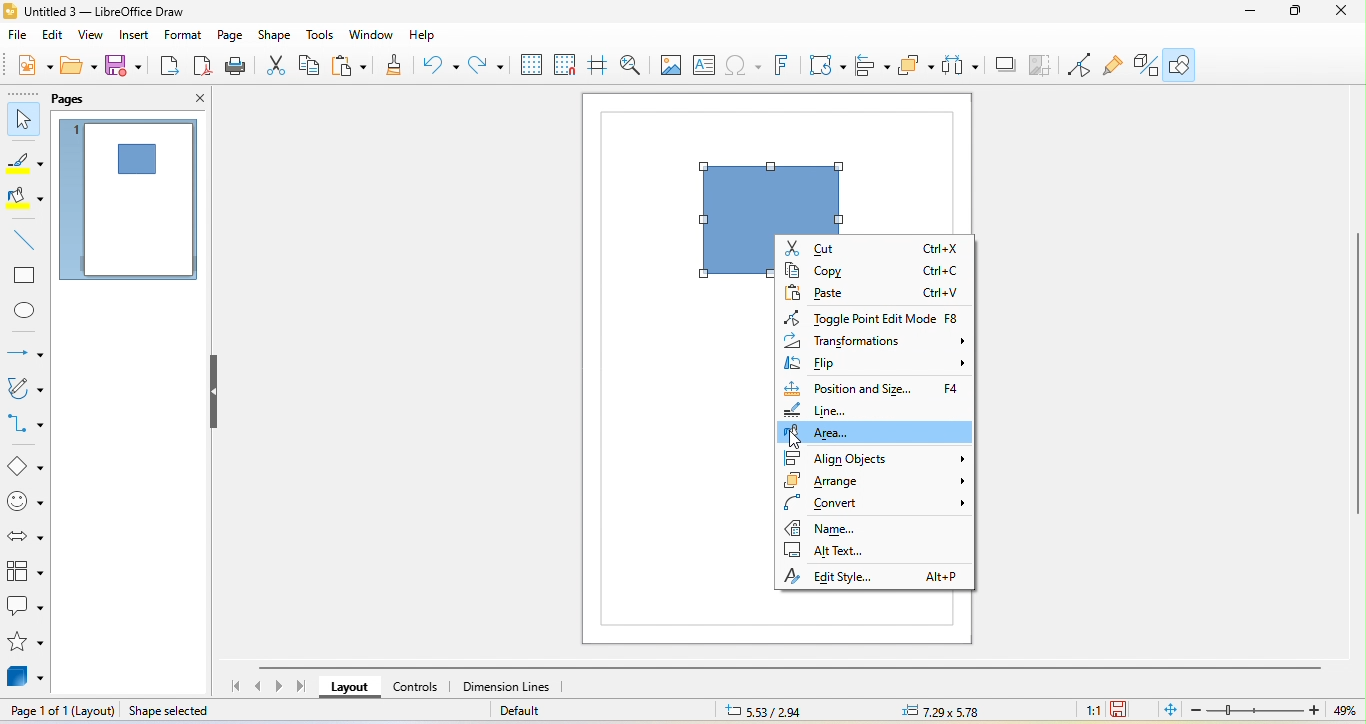 The height and width of the screenshot is (724, 1366). What do you see at coordinates (517, 687) in the screenshot?
I see `dimension lines` at bounding box center [517, 687].